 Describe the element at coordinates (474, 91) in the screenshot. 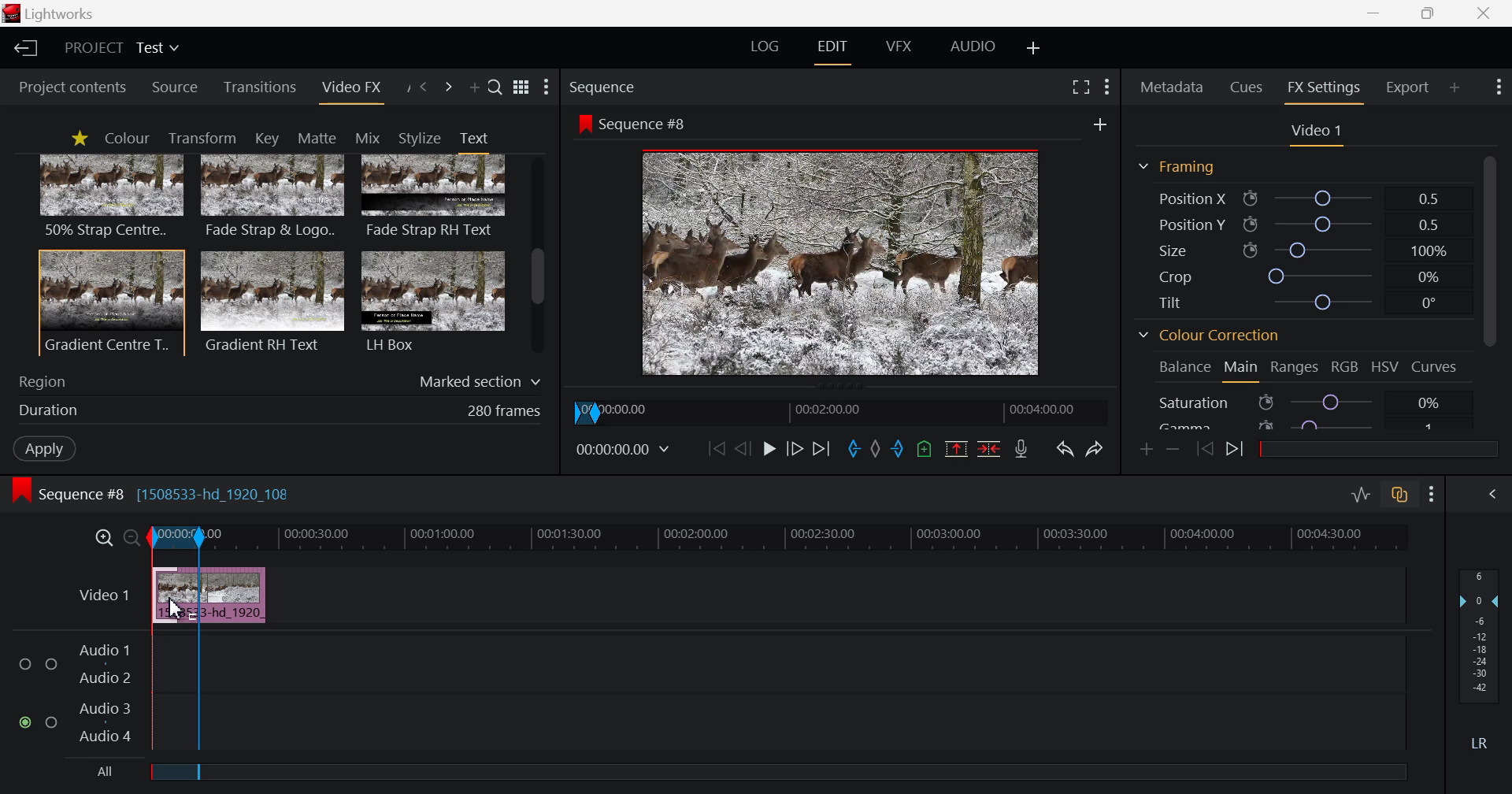

I see `Add Panel` at that location.